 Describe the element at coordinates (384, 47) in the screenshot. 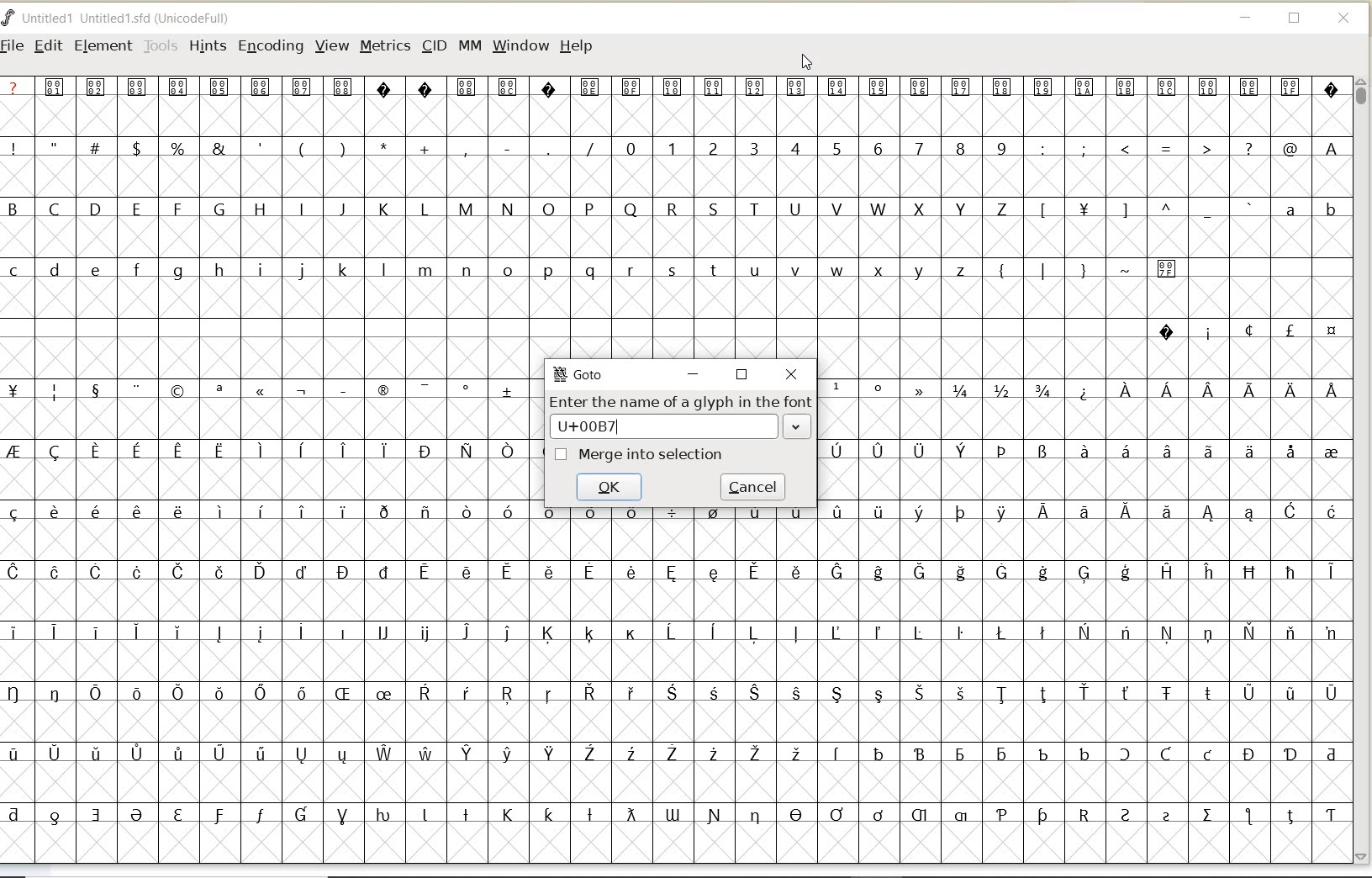

I see `METRICS` at that location.